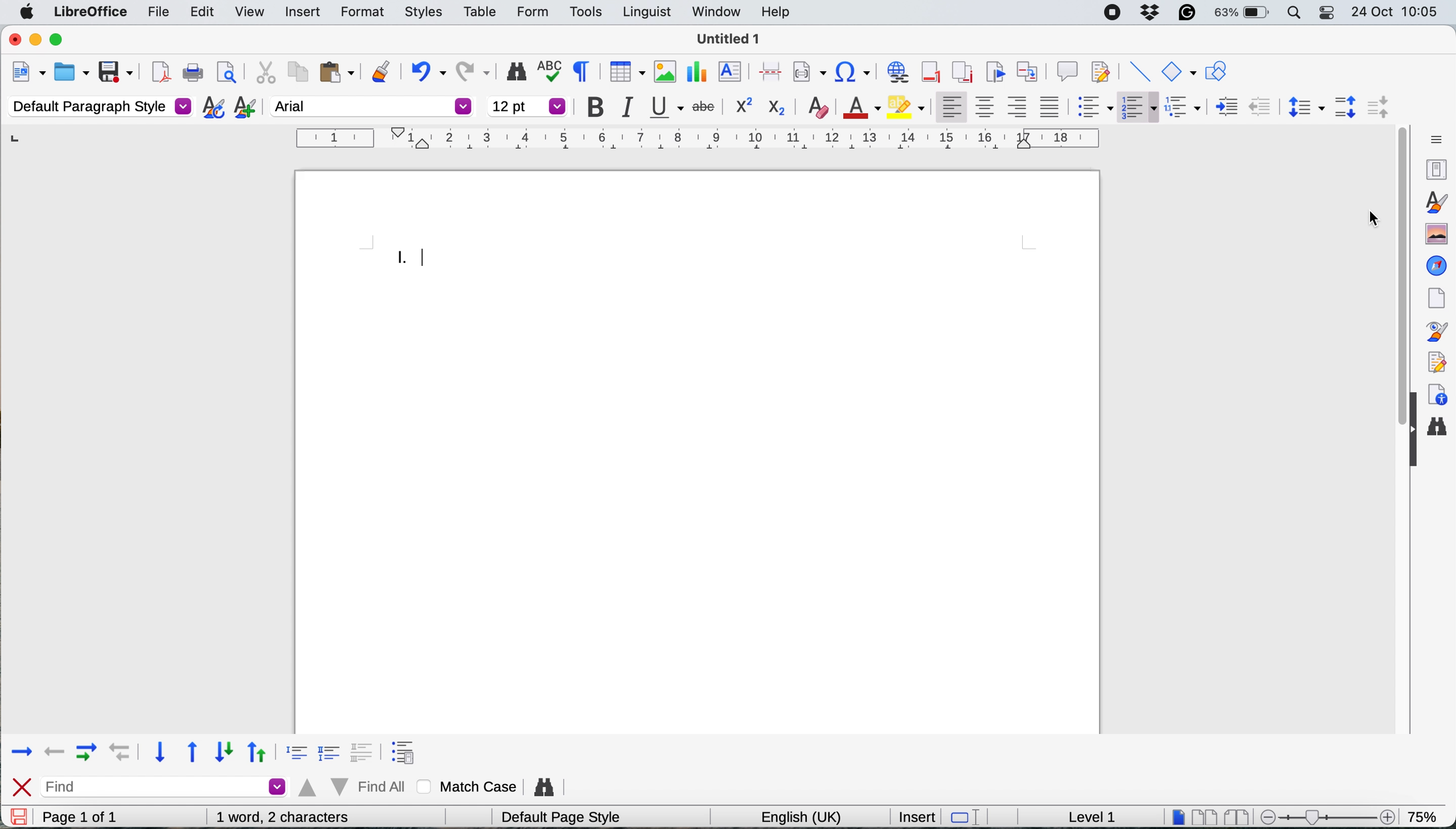  Describe the element at coordinates (337, 72) in the screenshot. I see `paste` at that location.